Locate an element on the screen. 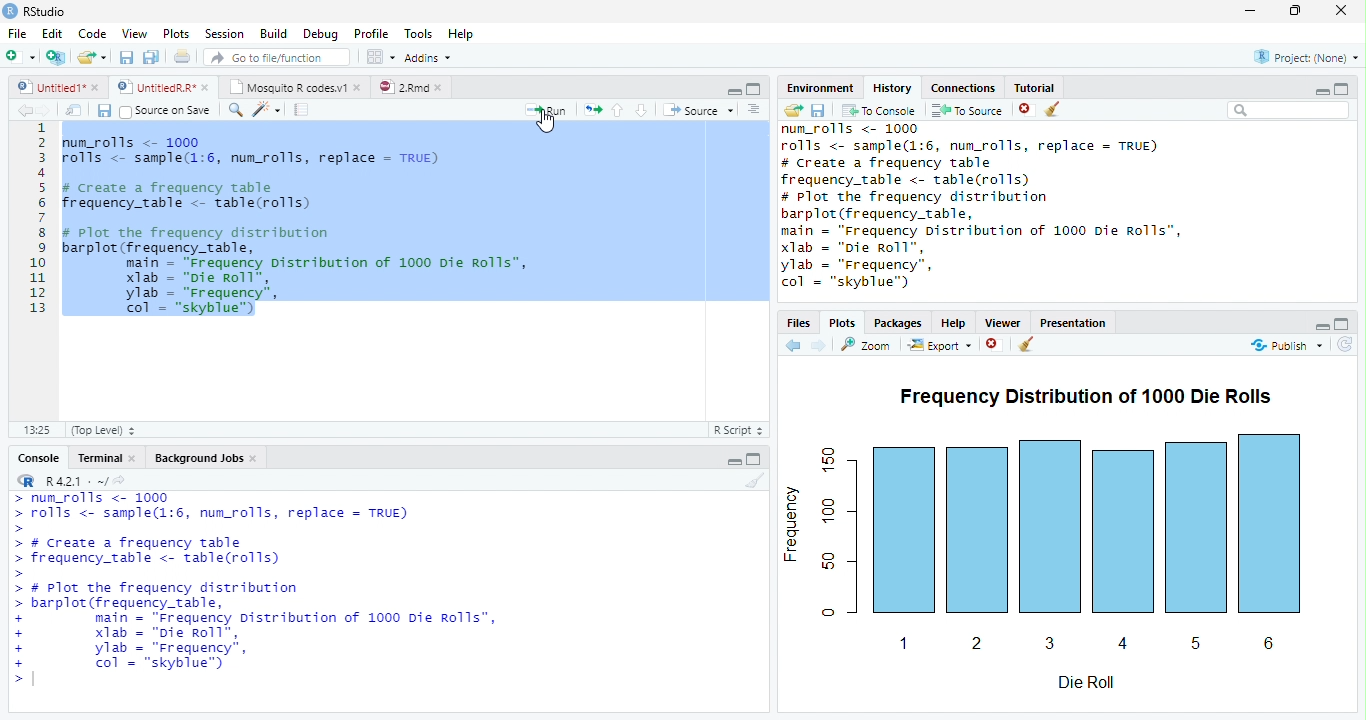 The image size is (1366, 720). 2 is located at coordinates (977, 641).